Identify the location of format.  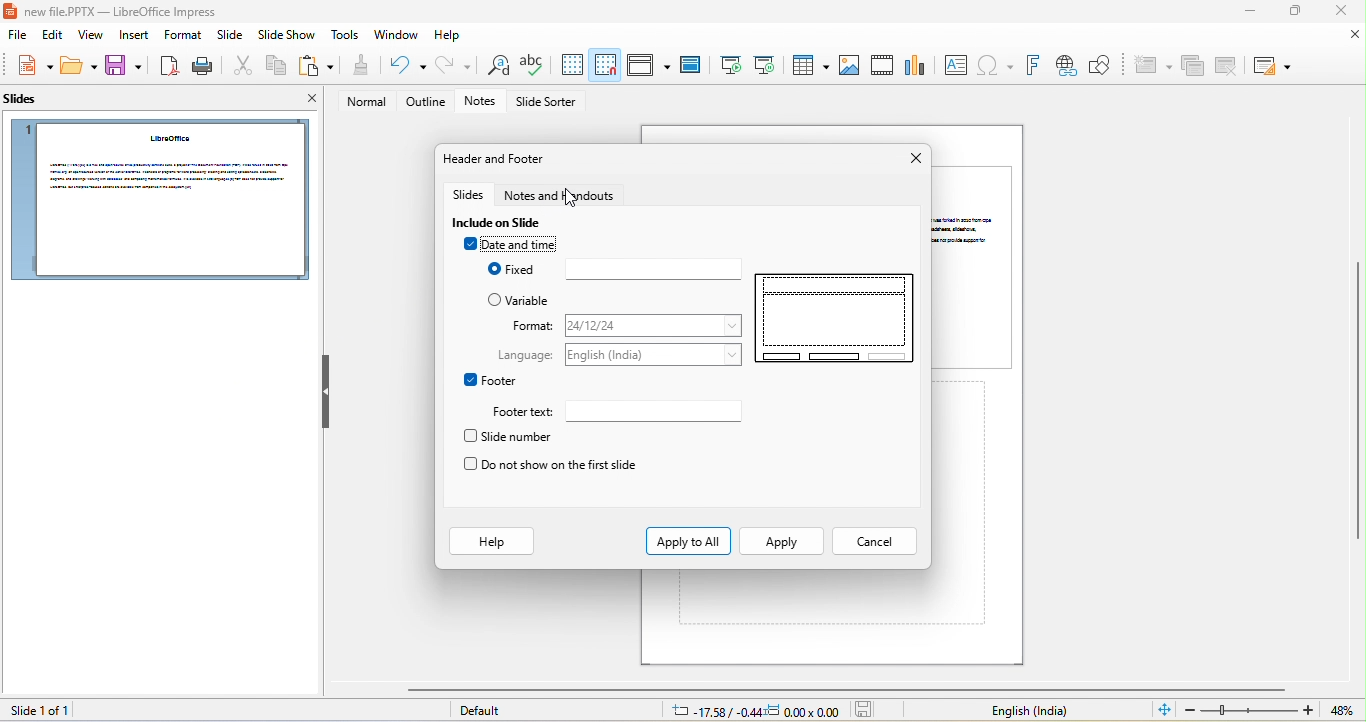
(182, 35).